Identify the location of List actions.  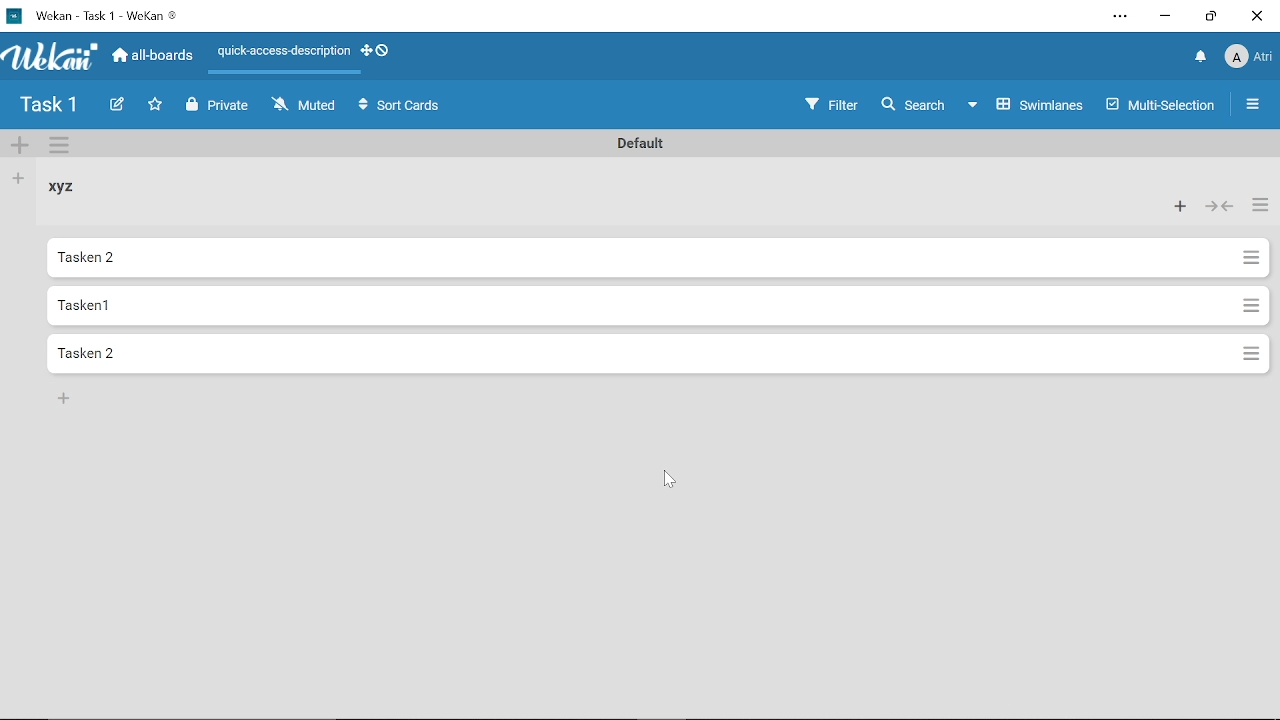
(1258, 206).